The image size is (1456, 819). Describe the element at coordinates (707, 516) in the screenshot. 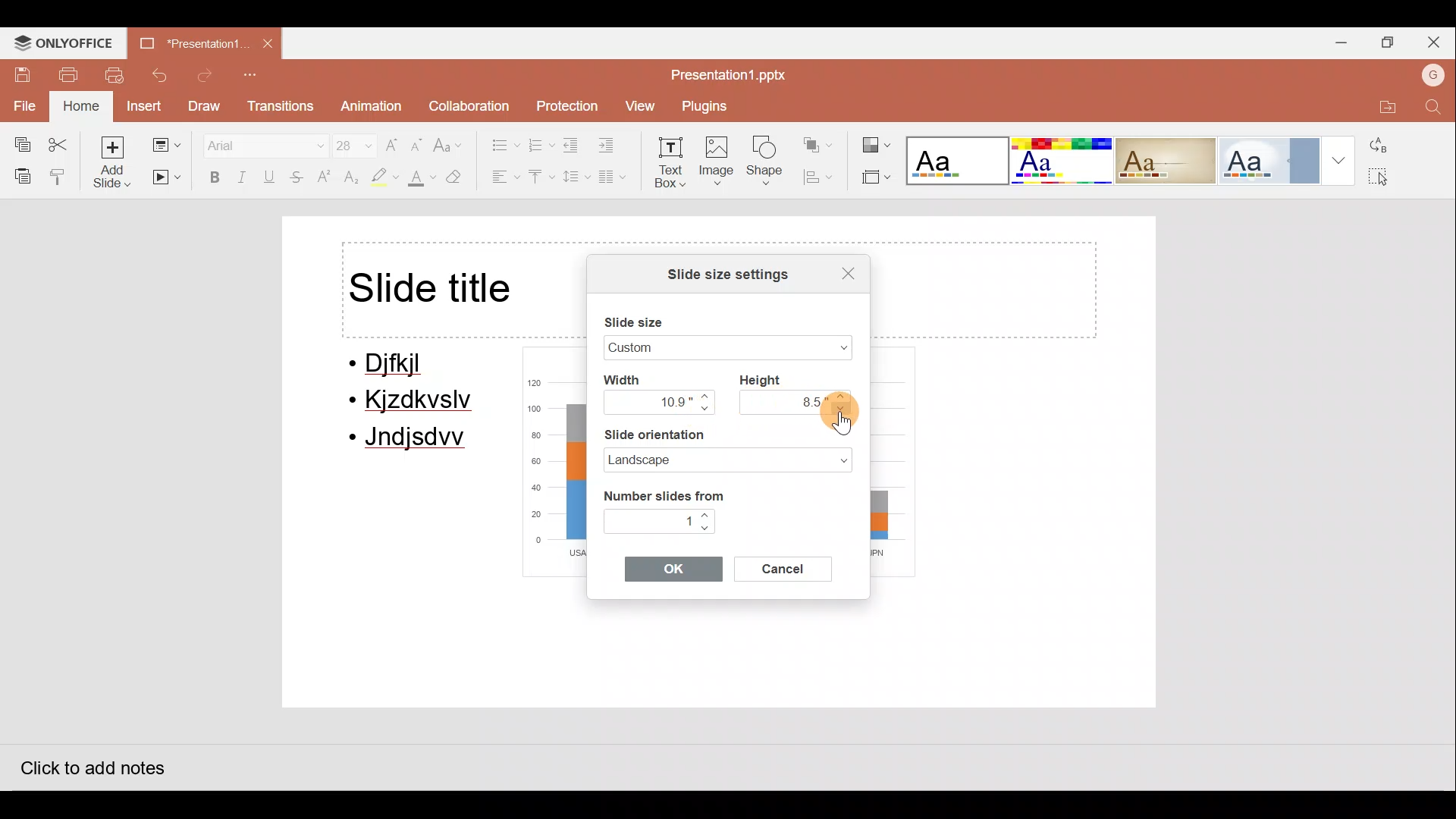

I see `Navigate up` at that location.